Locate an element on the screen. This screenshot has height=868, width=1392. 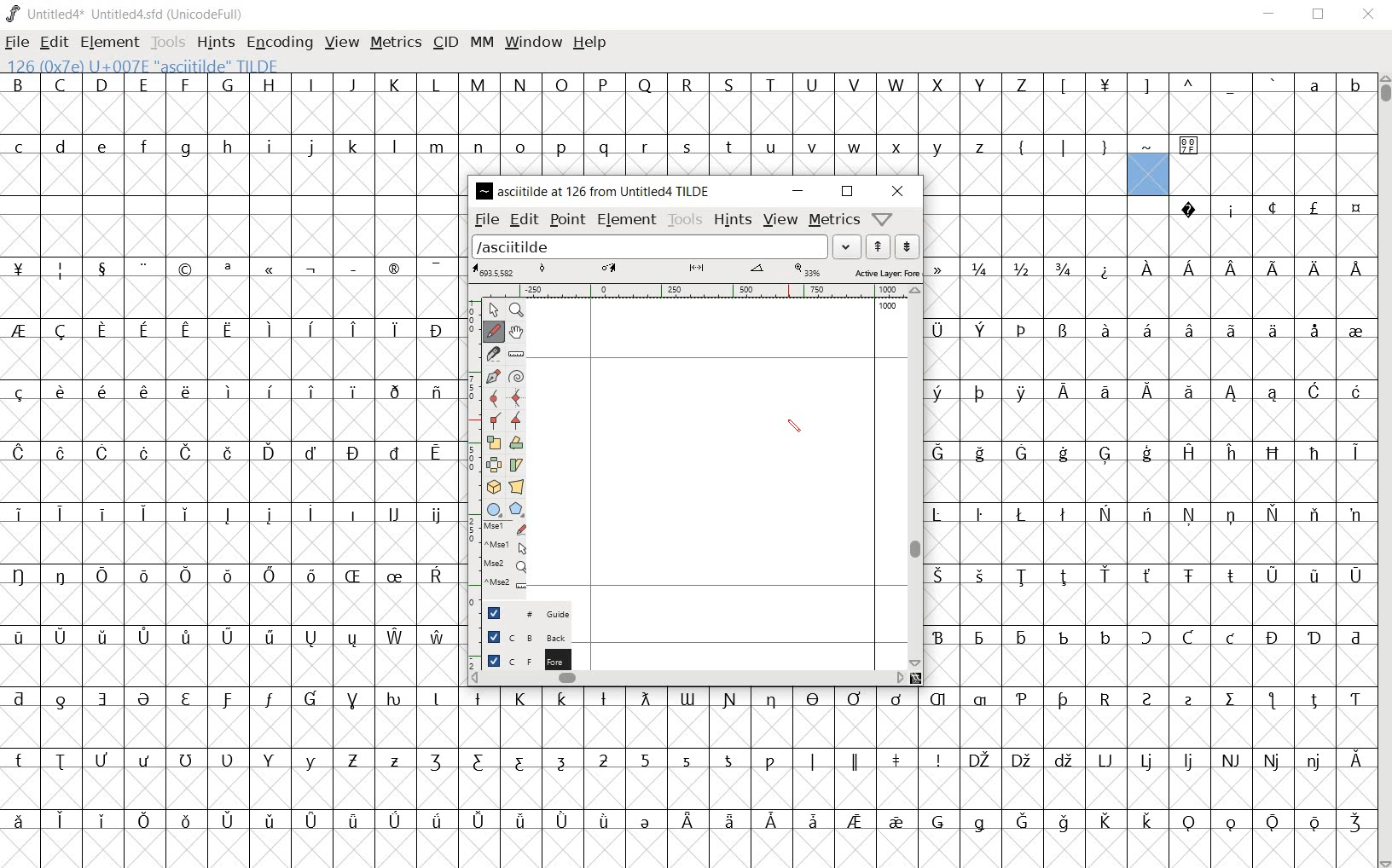
glyph characters is located at coordinates (230, 465).